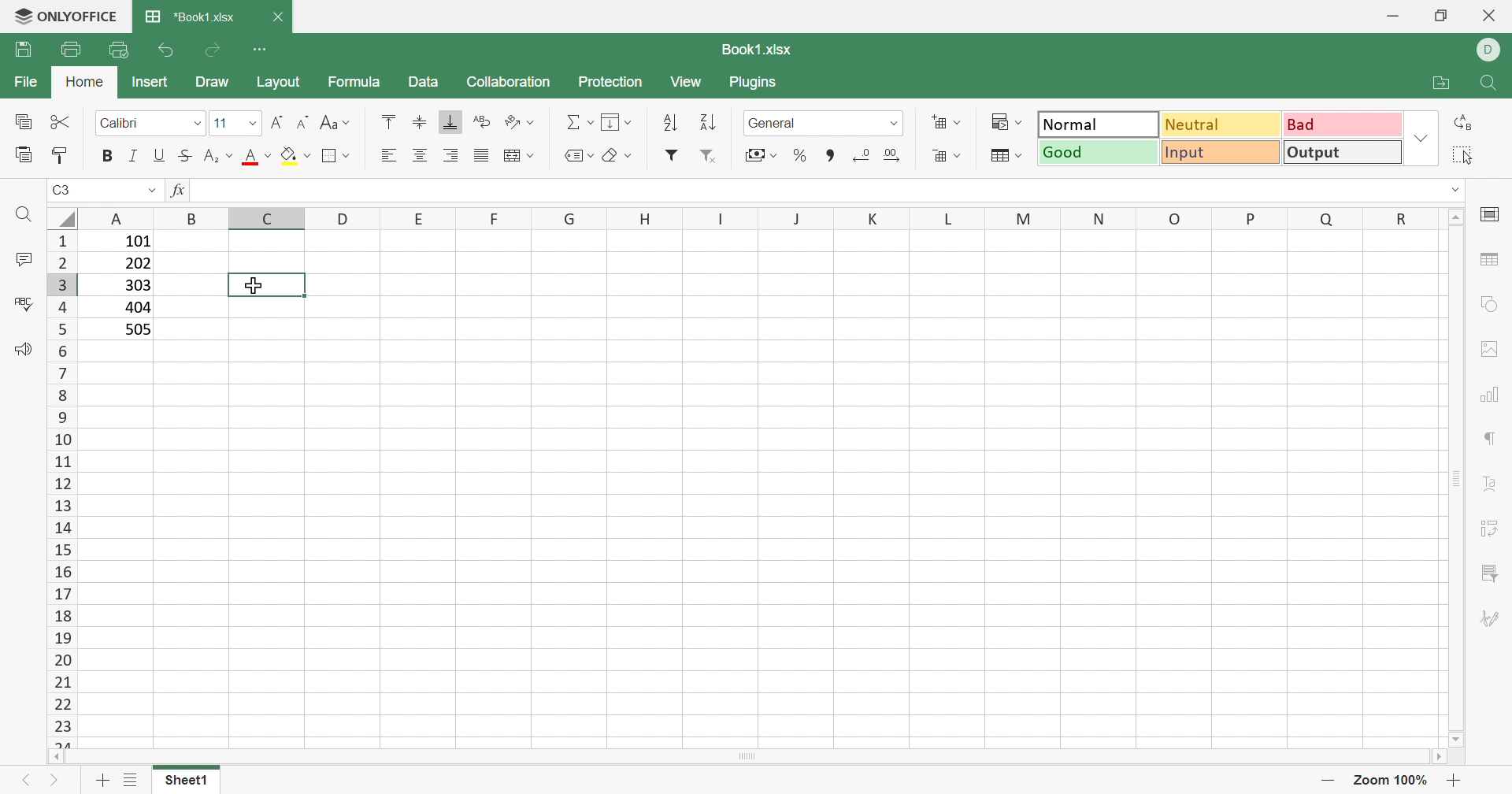  I want to click on Justified, so click(484, 154).